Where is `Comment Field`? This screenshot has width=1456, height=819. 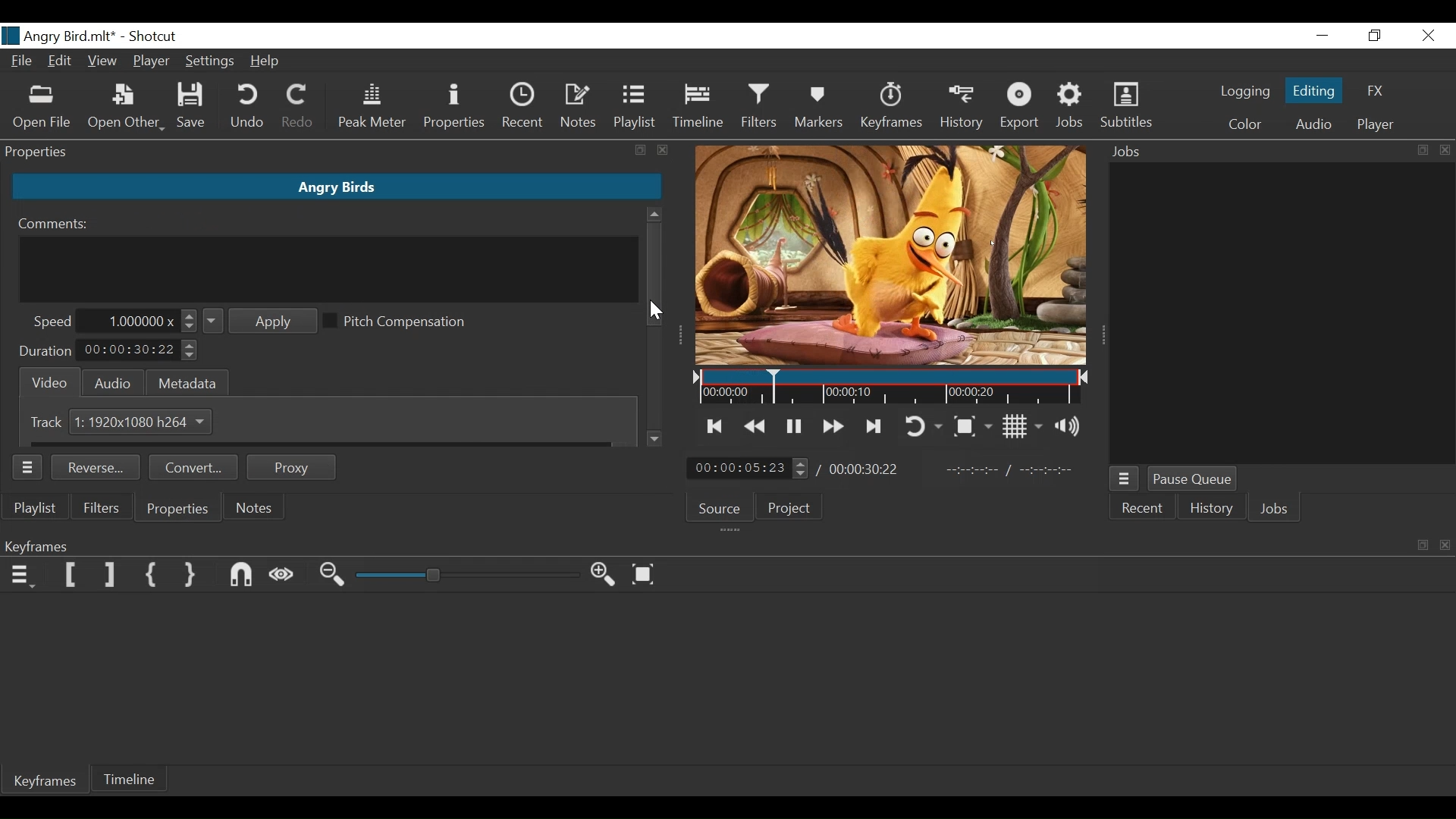 Comment Field is located at coordinates (325, 270).